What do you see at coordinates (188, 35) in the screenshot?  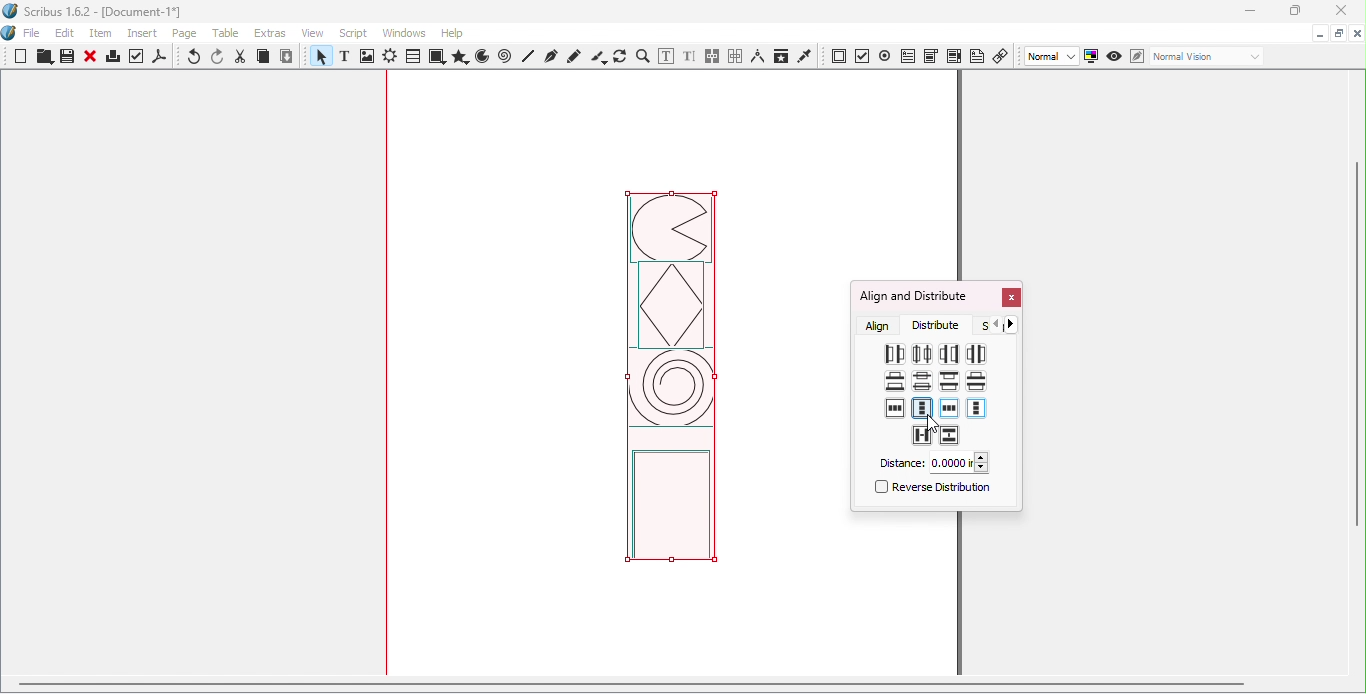 I see `Page` at bounding box center [188, 35].